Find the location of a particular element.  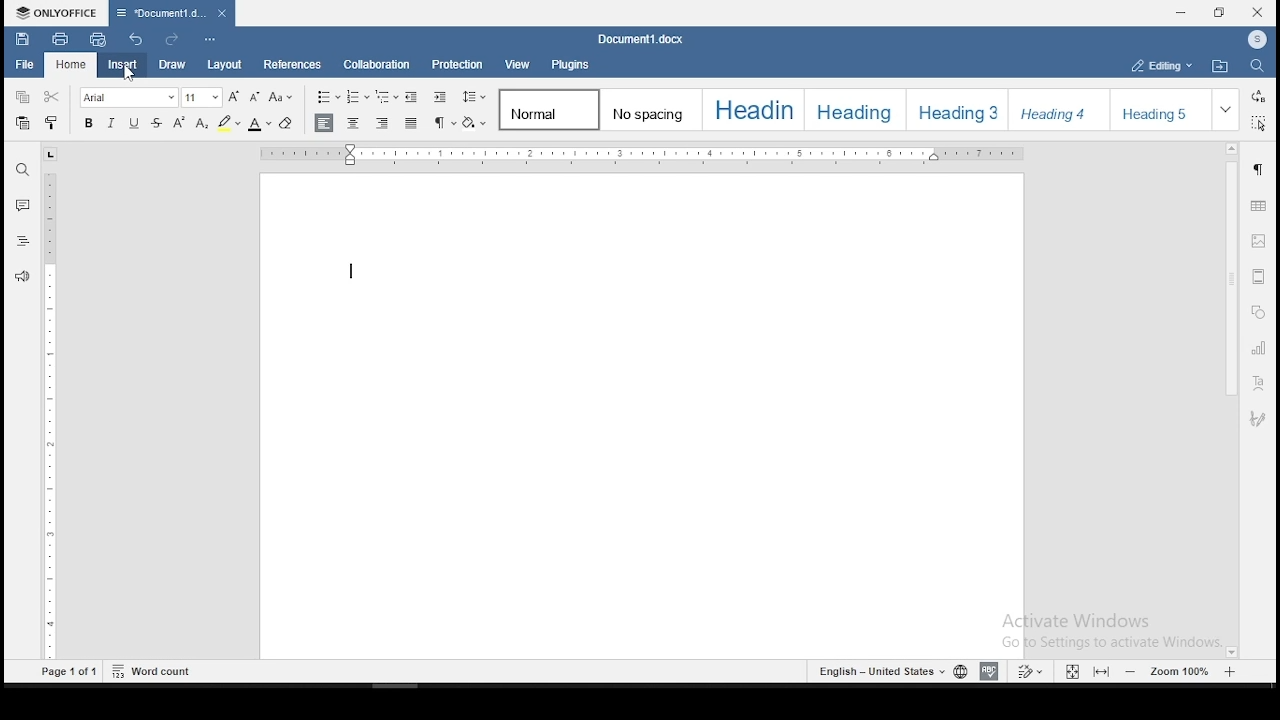

draw is located at coordinates (172, 66).